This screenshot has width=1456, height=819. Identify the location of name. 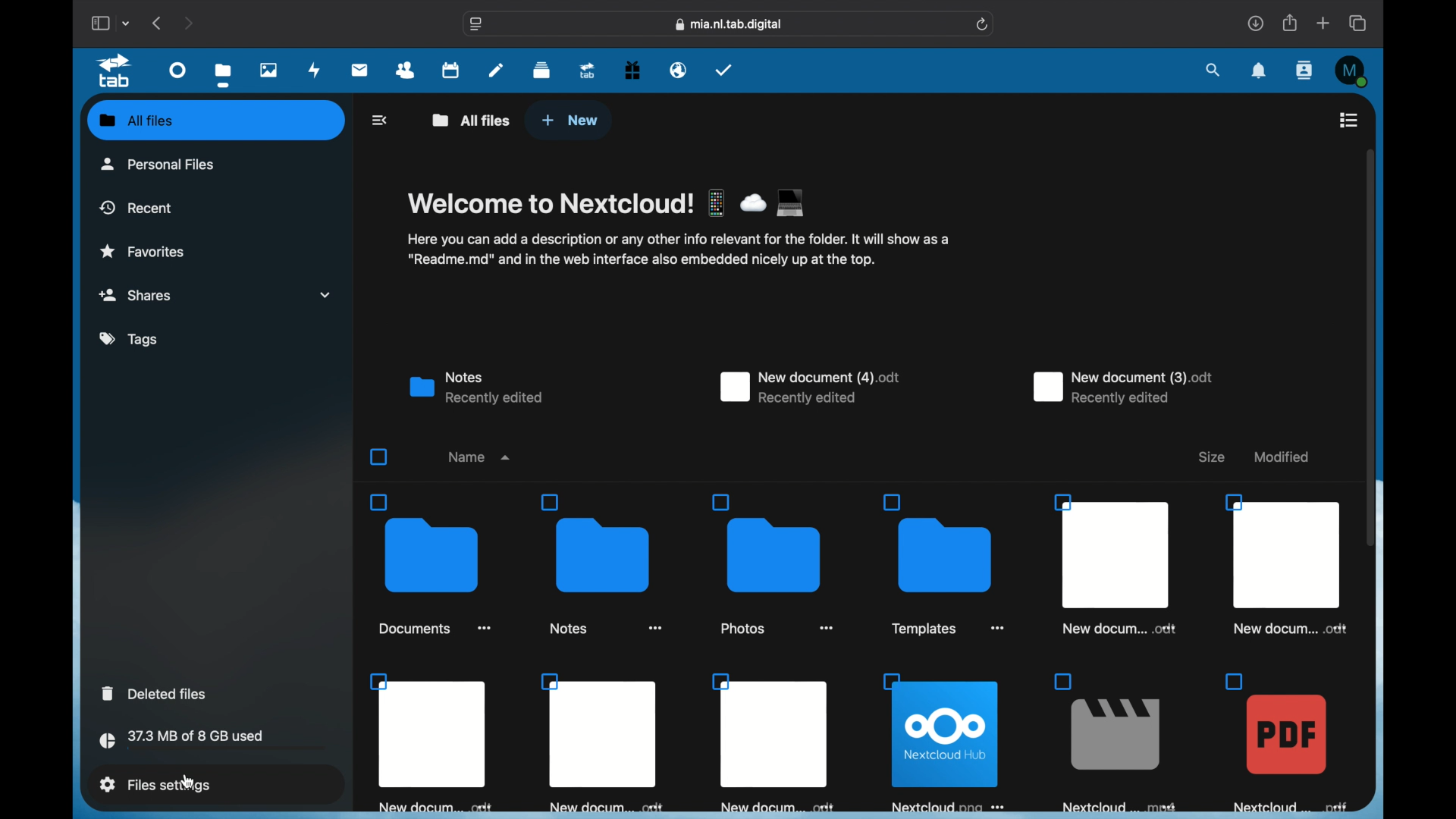
(478, 456).